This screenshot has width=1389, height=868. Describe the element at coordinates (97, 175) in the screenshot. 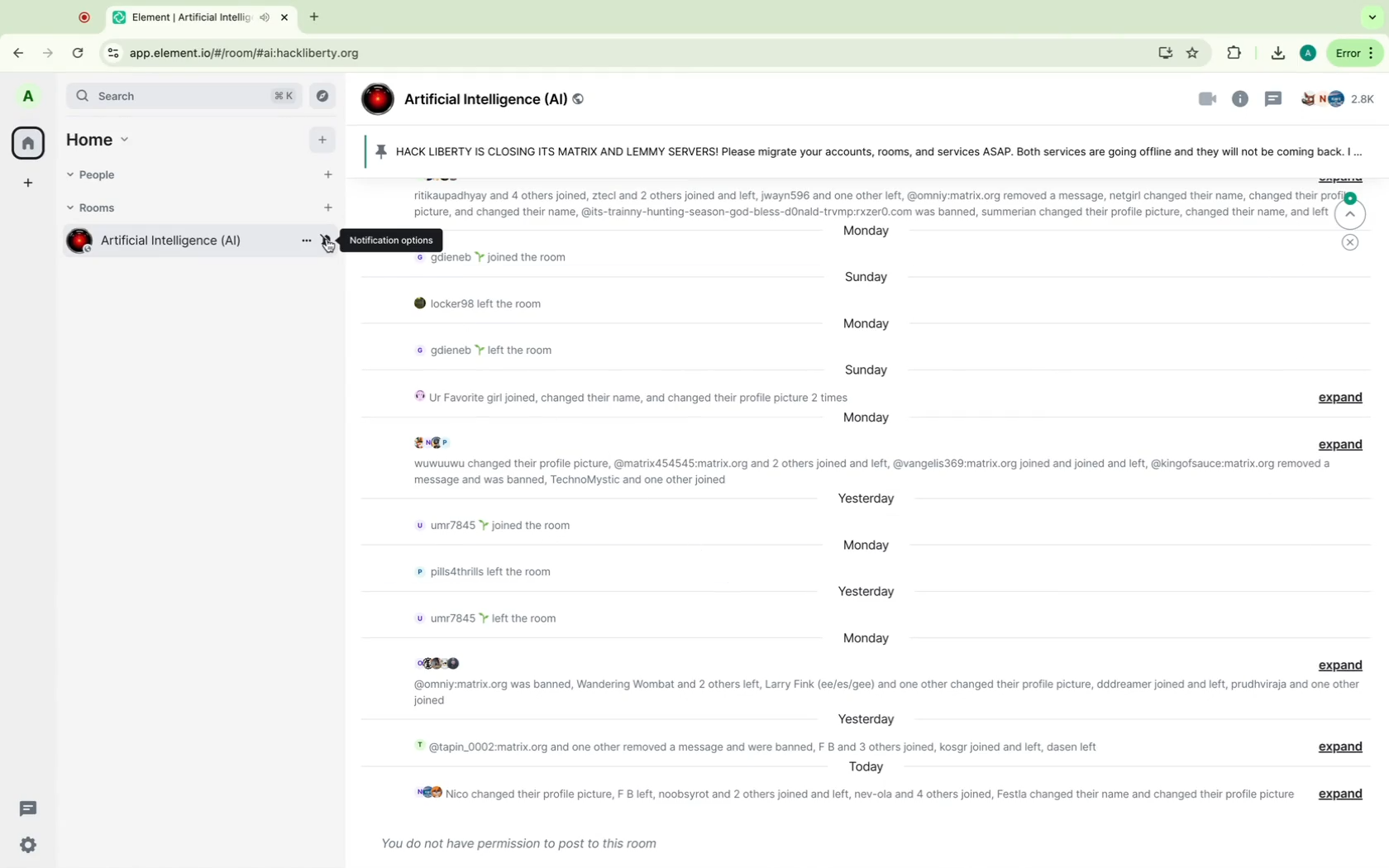

I see `people` at that location.